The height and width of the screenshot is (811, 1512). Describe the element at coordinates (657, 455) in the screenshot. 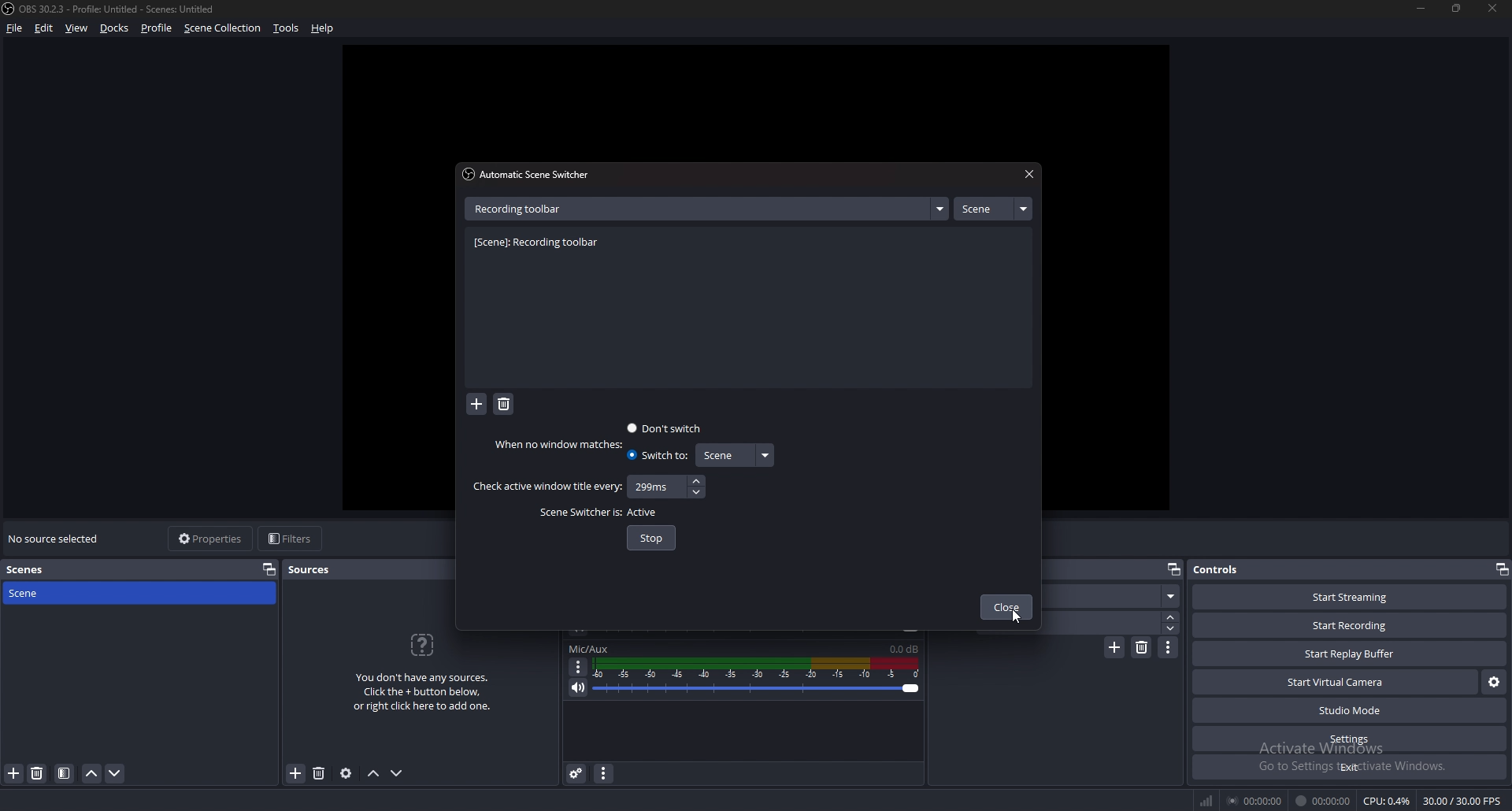

I see `switch to` at that location.